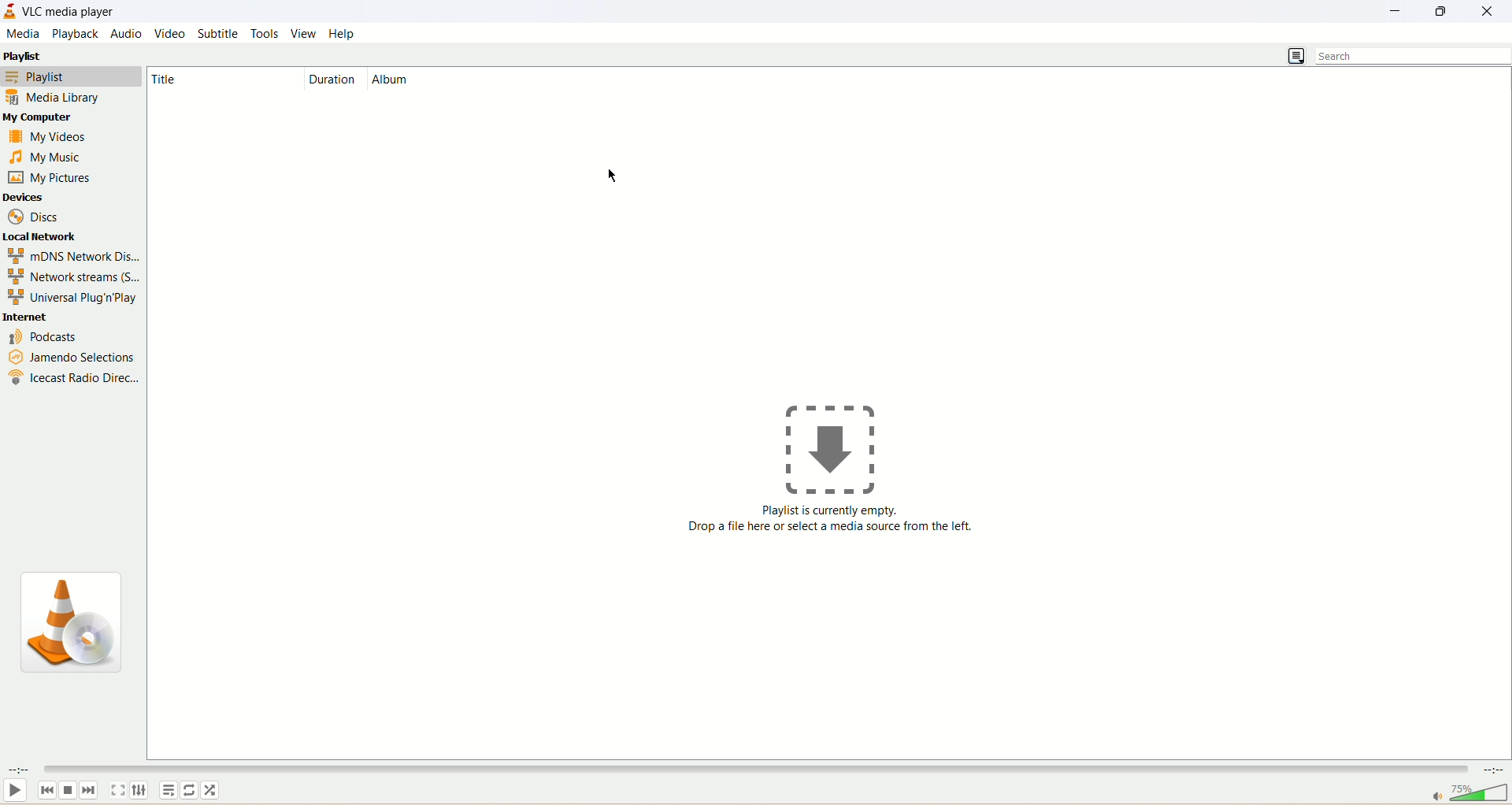  What do you see at coordinates (9, 14) in the screenshot?
I see `logo` at bounding box center [9, 14].